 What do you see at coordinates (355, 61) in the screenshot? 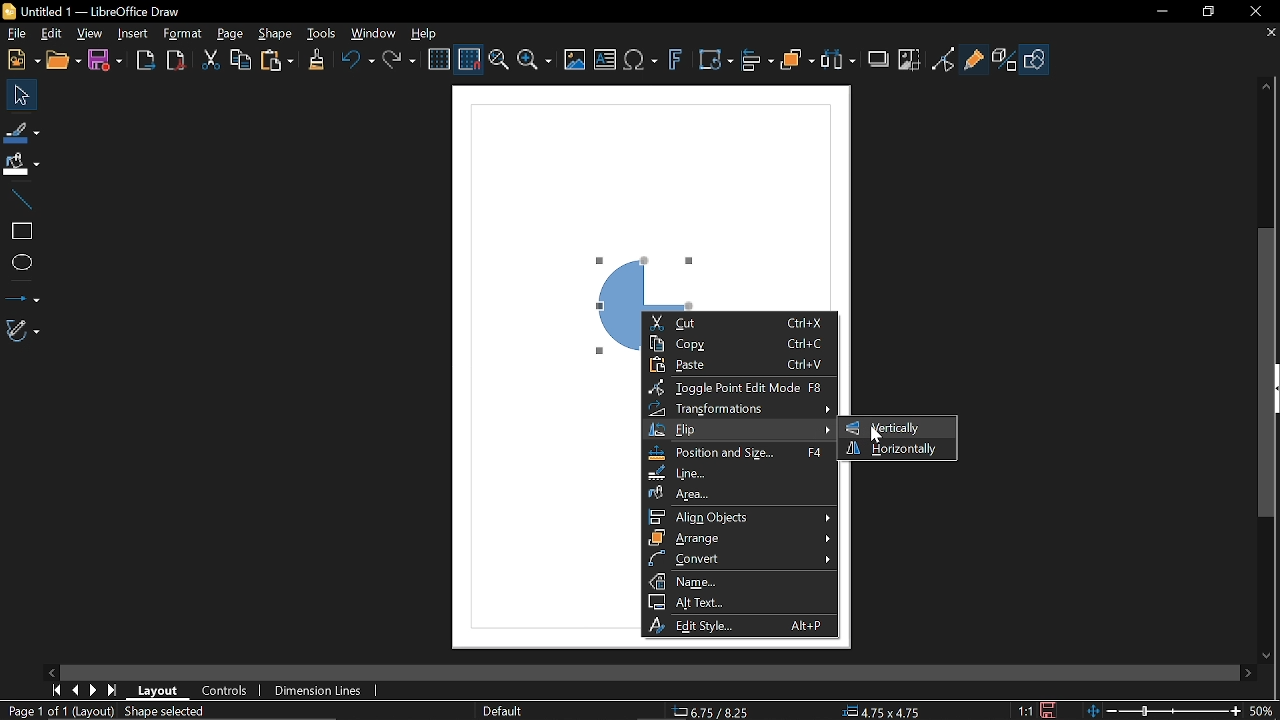
I see `Undo` at bounding box center [355, 61].